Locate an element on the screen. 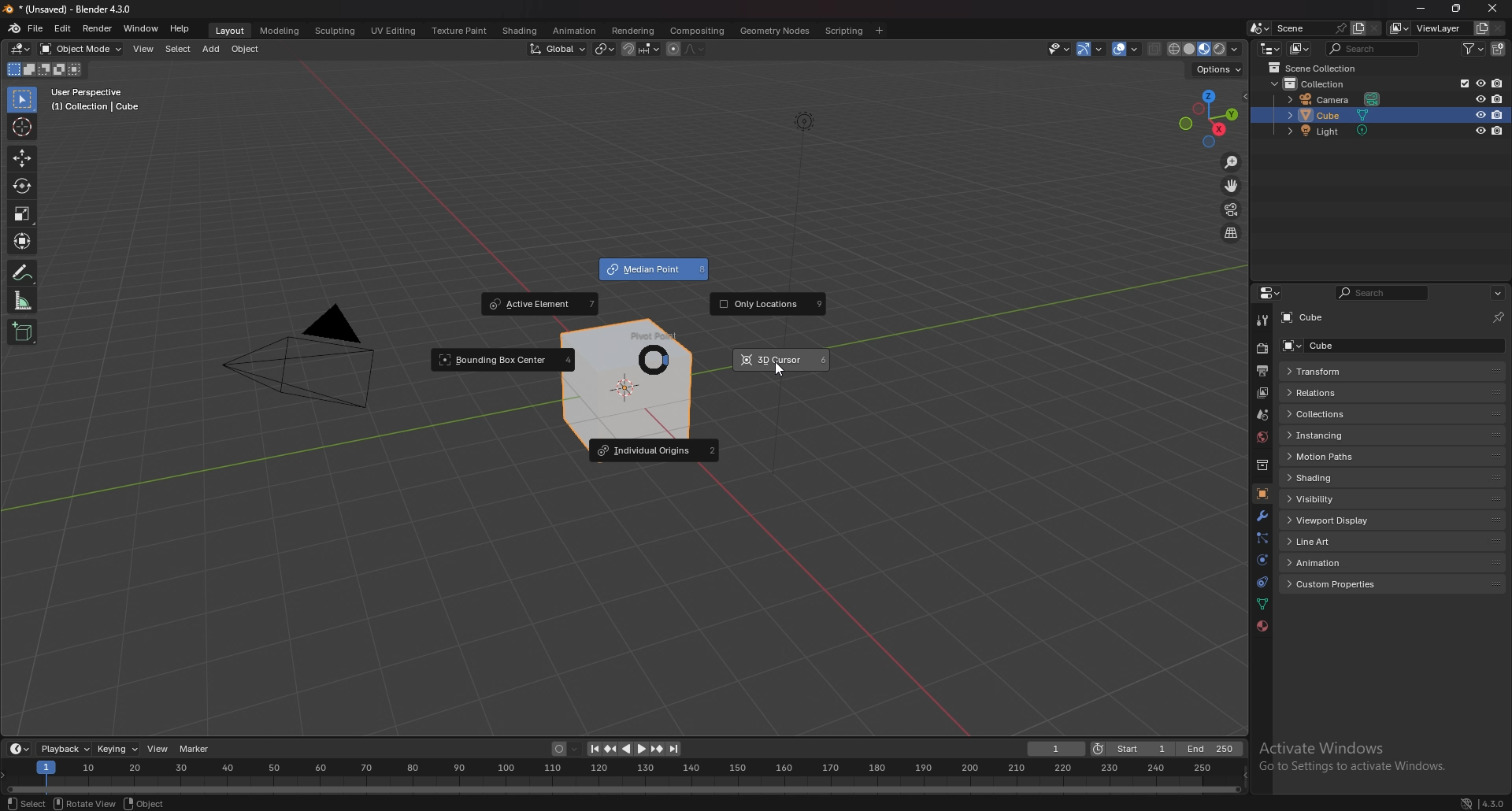 The width and height of the screenshot is (1512, 811). display mode is located at coordinates (1299, 49).